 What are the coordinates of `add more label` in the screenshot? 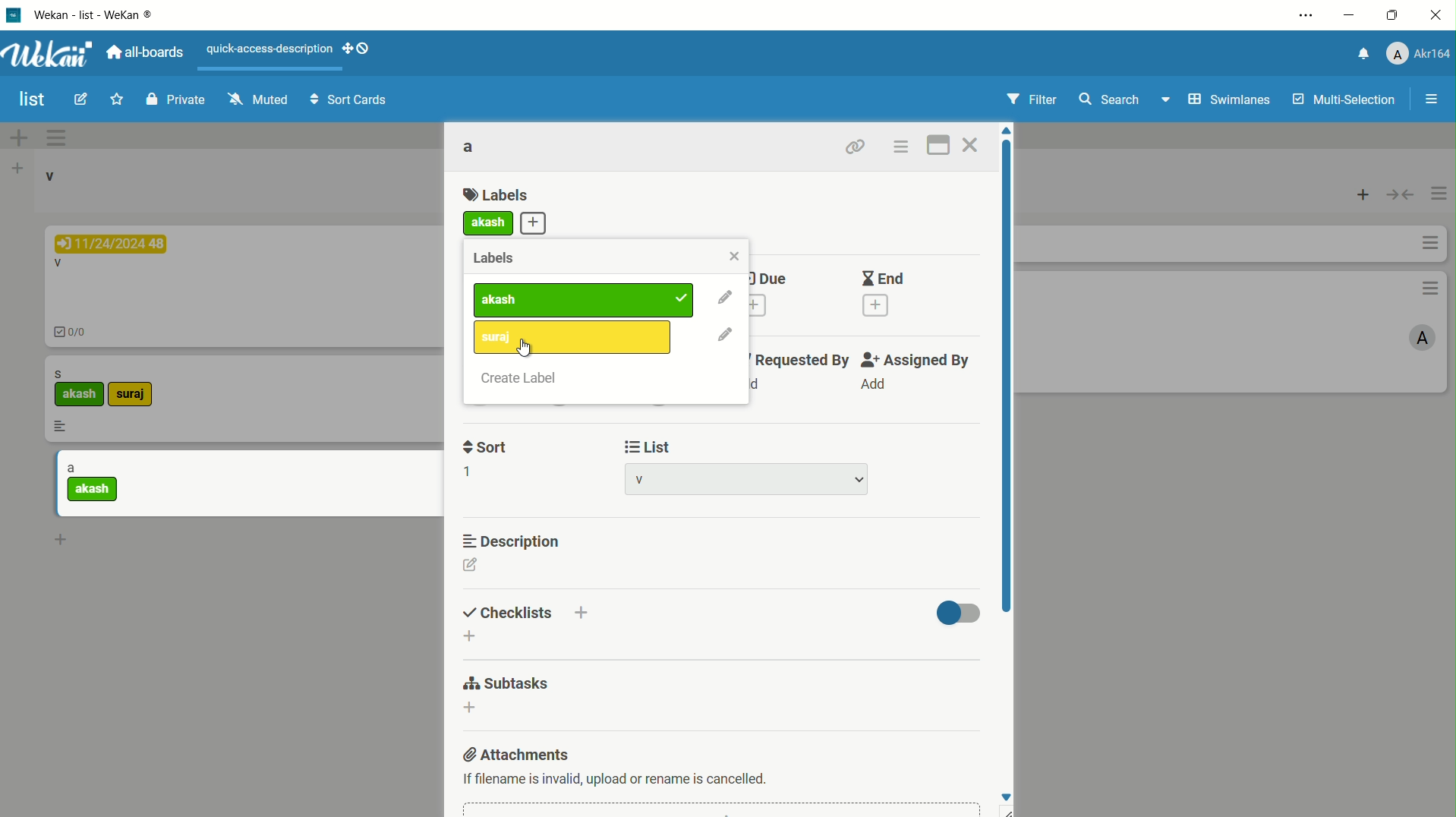 It's located at (533, 225).